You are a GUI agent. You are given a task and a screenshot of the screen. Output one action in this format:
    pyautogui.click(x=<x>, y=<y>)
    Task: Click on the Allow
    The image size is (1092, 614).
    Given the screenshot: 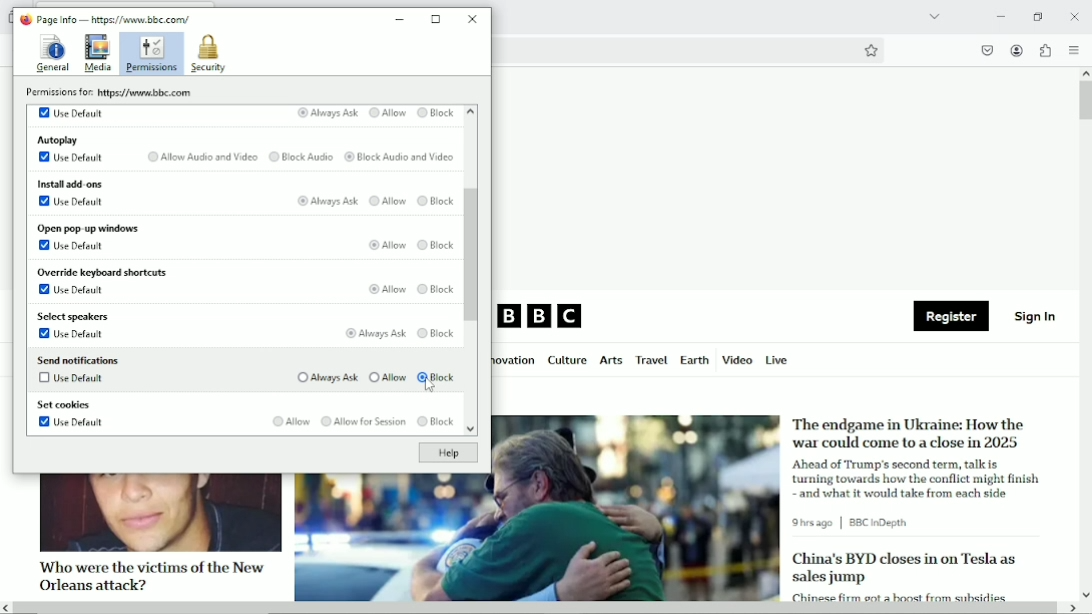 What is the action you would take?
    pyautogui.click(x=387, y=202)
    